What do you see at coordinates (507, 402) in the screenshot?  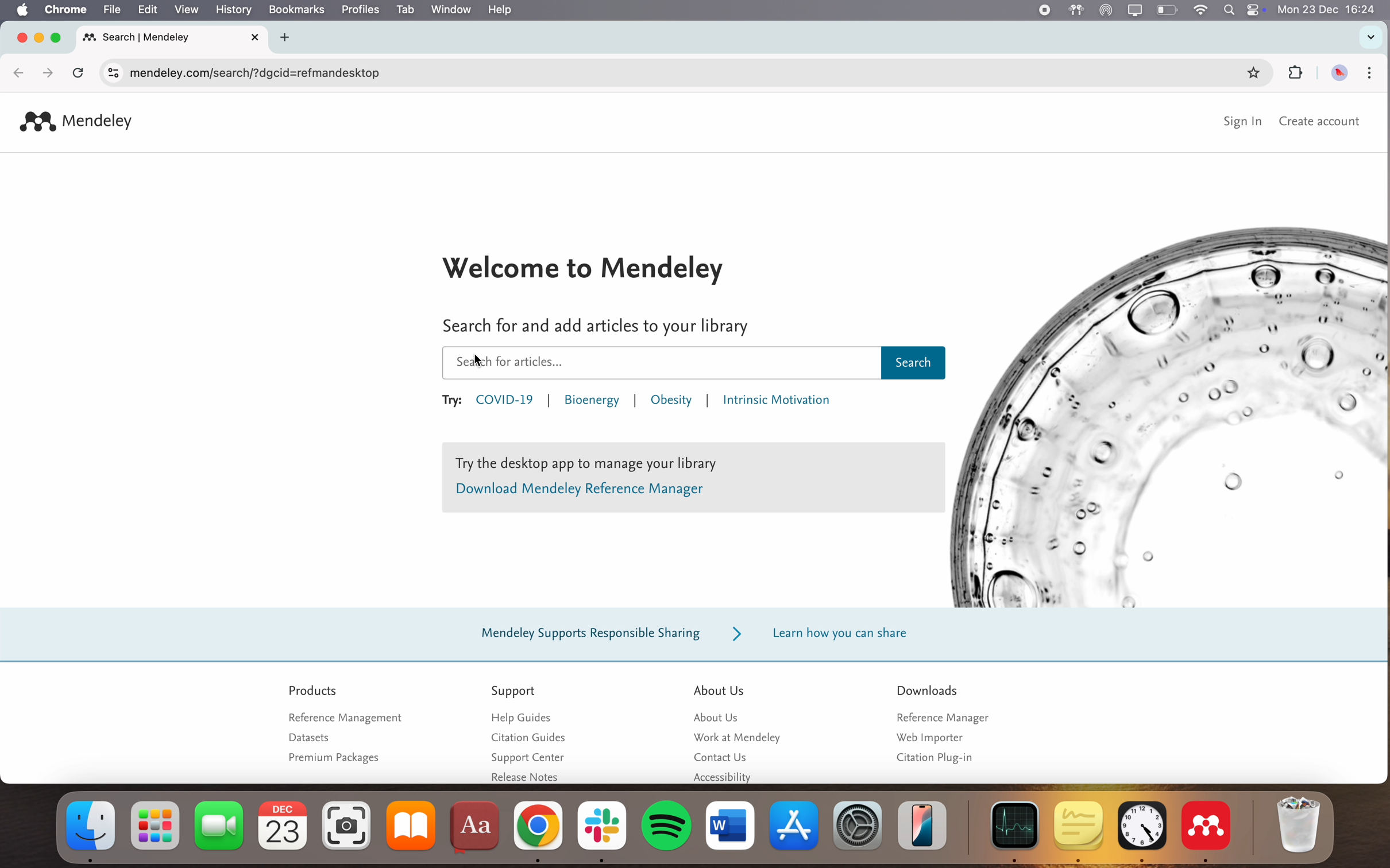 I see `covid-19` at bounding box center [507, 402].